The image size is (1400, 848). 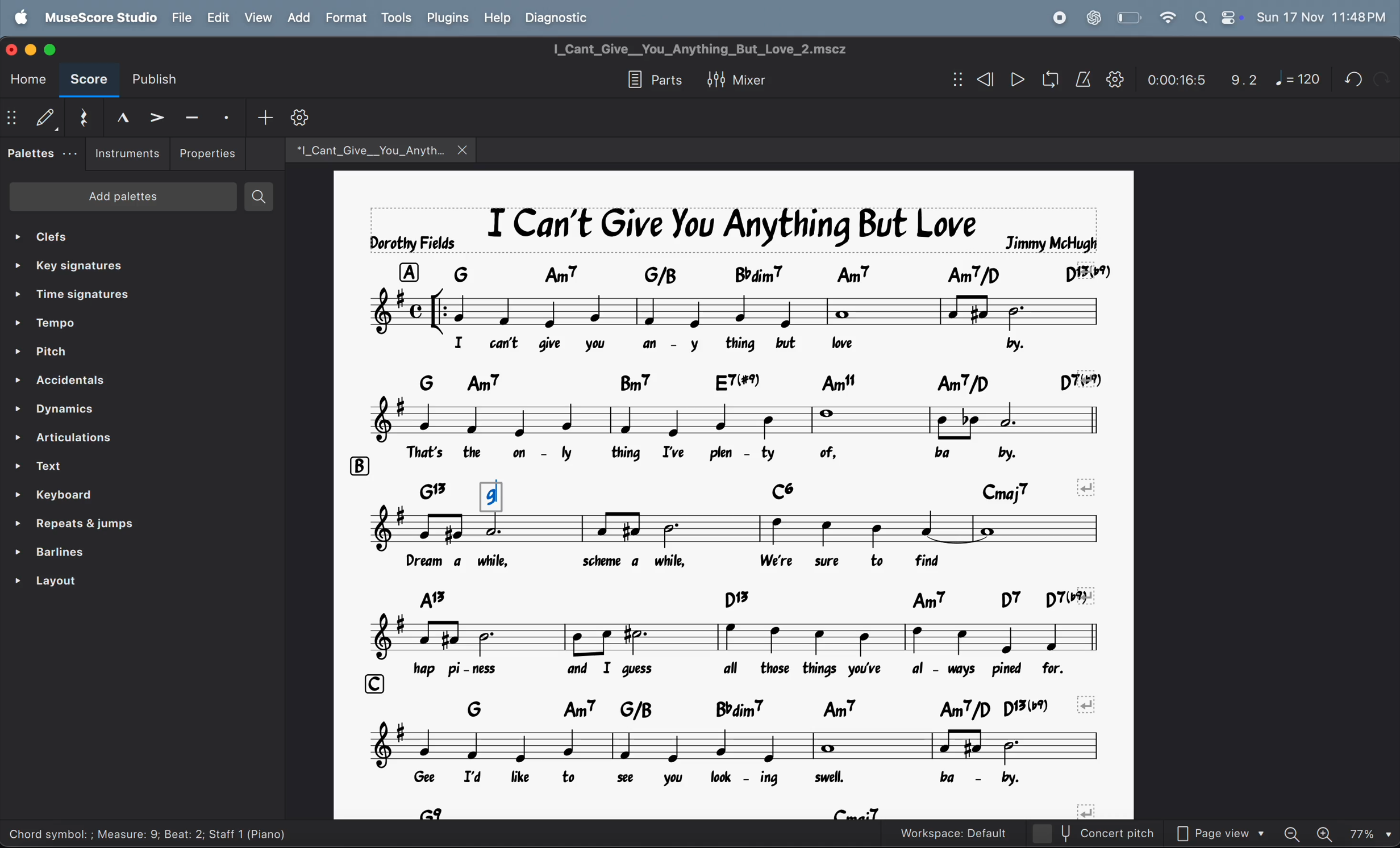 I want to click on staccato, so click(x=230, y=117).